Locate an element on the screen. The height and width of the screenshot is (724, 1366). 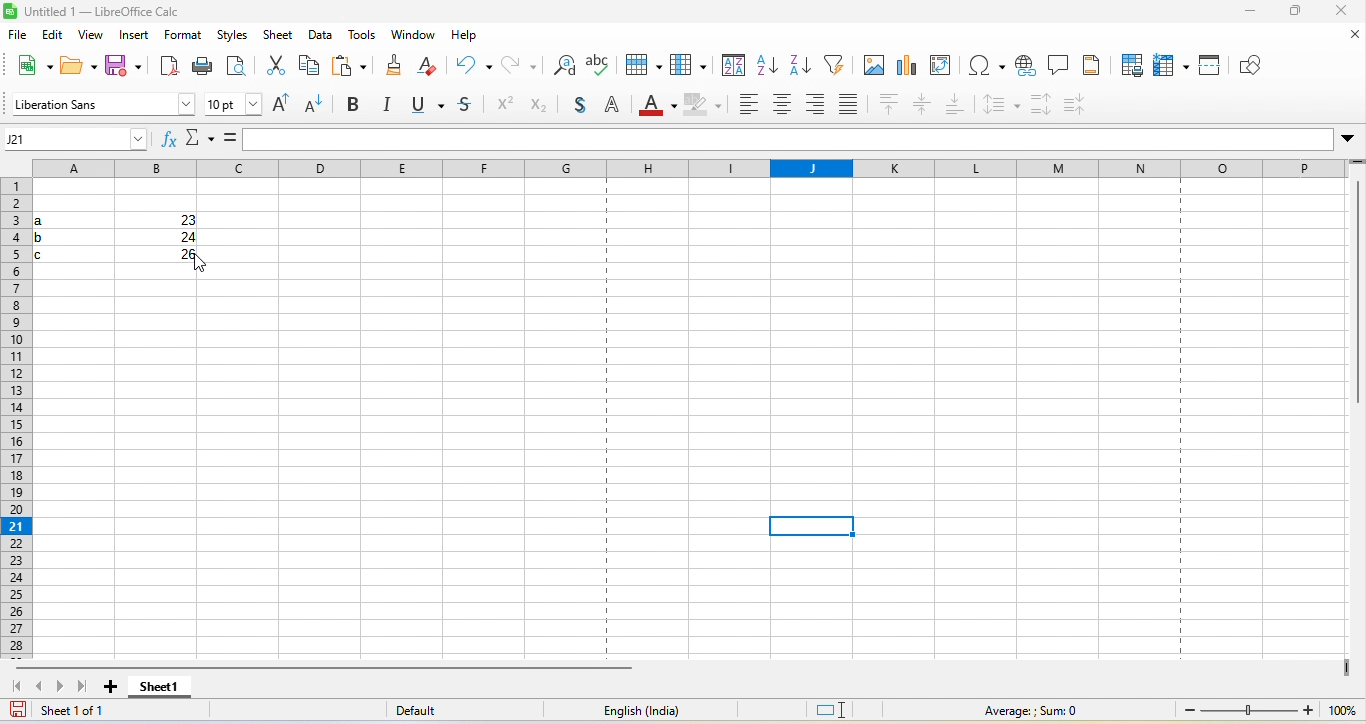
image is located at coordinates (871, 66).